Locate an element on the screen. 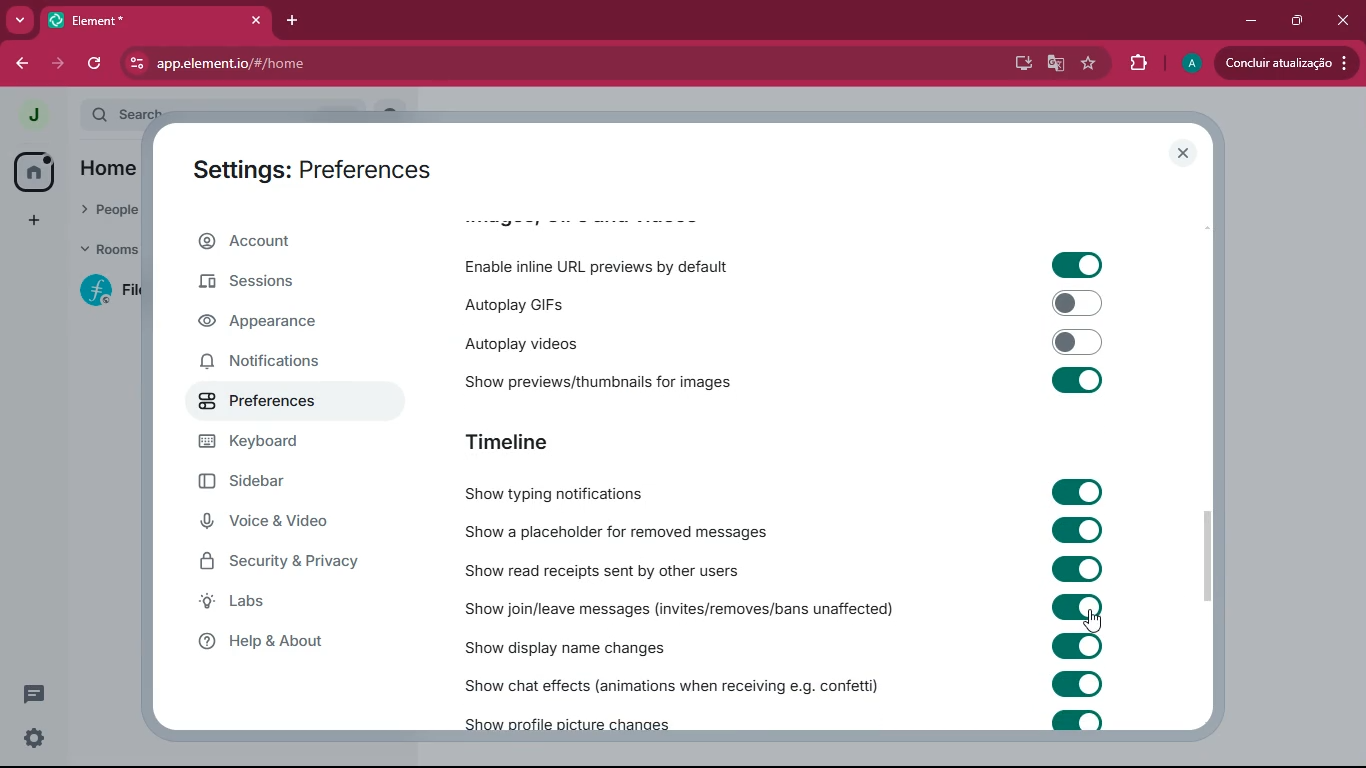 The width and height of the screenshot is (1366, 768). toggle on/off is located at coordinates (1079, 380).